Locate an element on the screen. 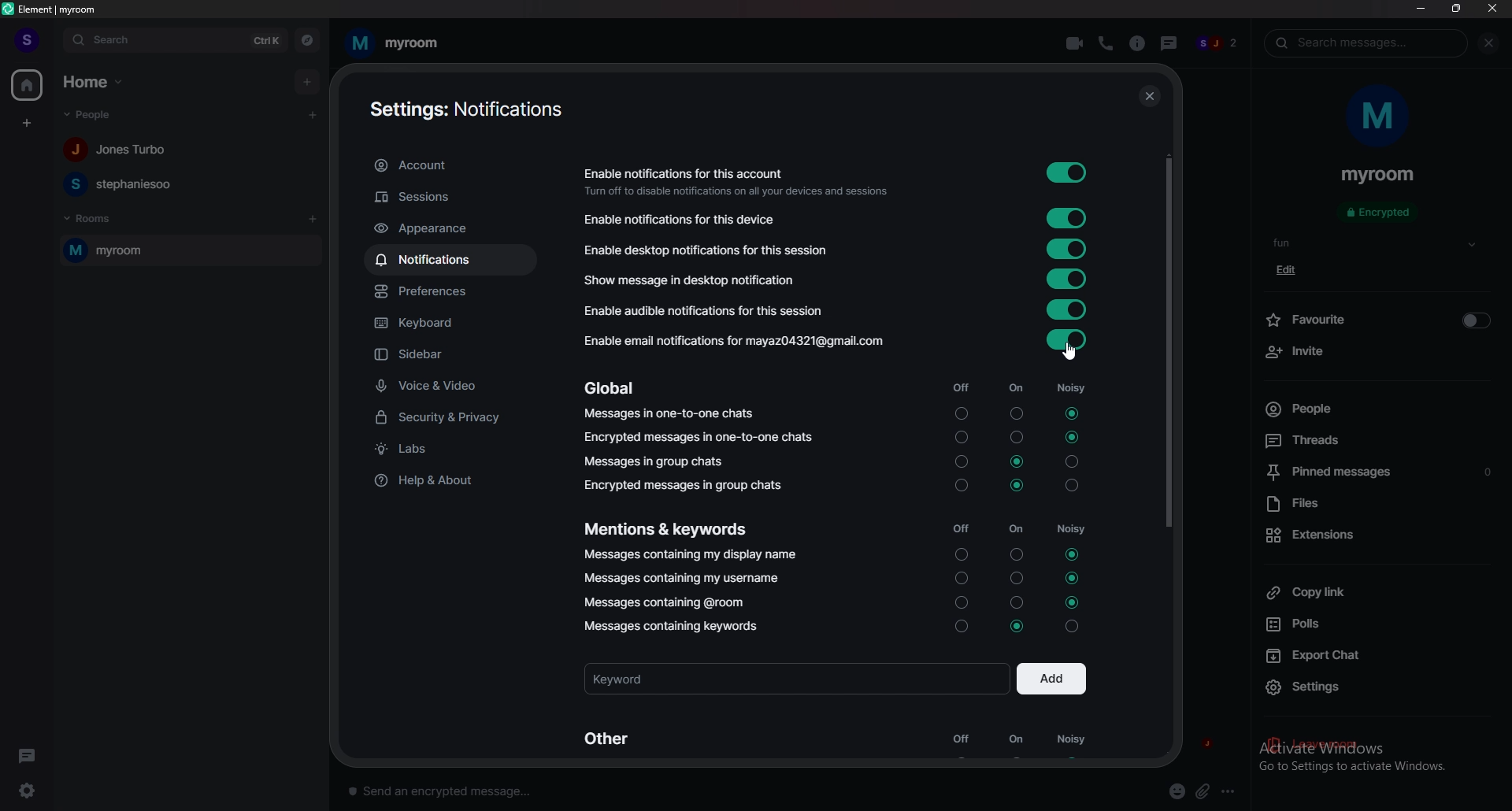 The image size is (1512, 811). rooms is located at coordinates (92, 219).